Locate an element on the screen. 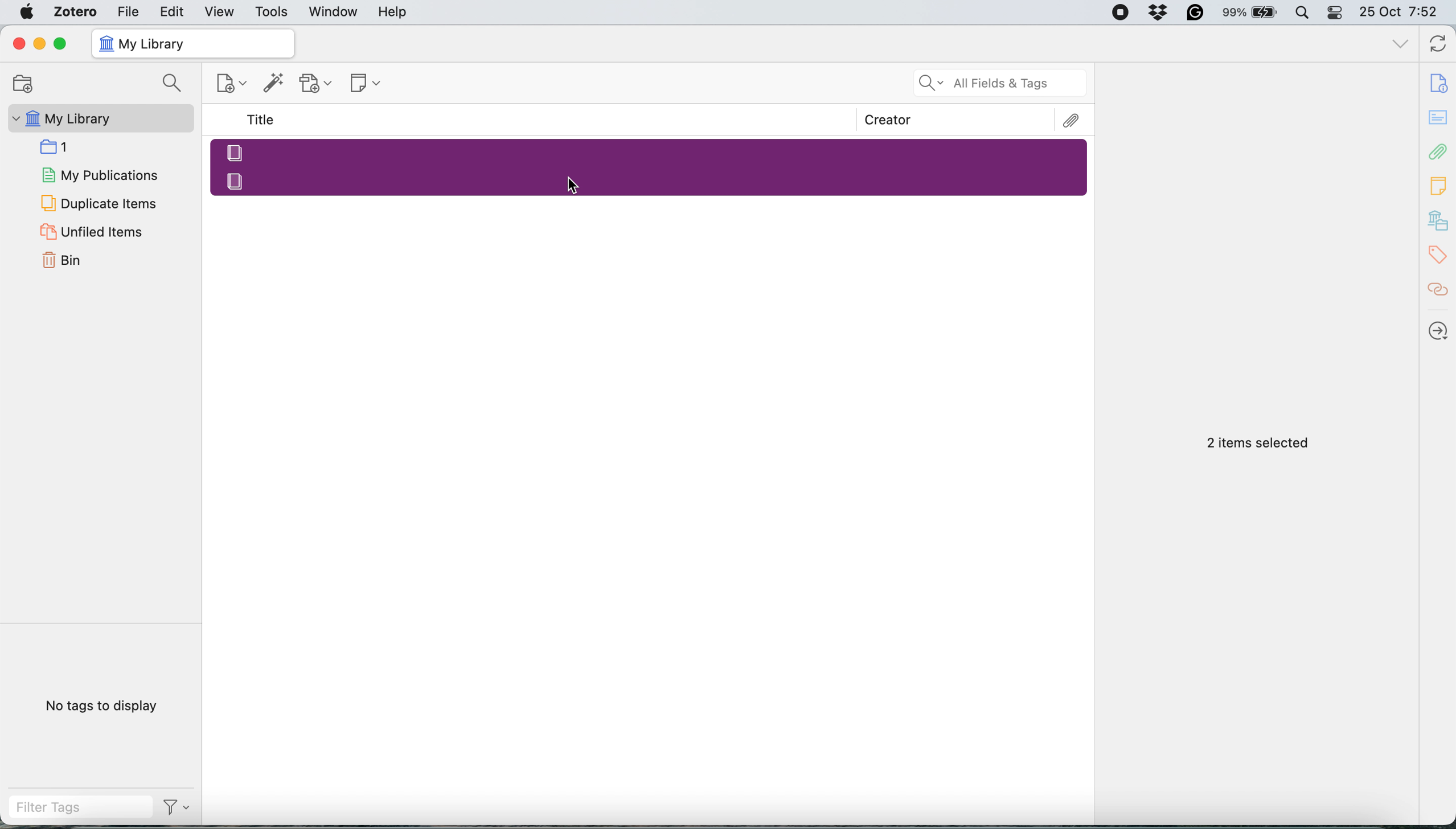 Image resolution: width=1456 pixels, height=829 pixels. Spotlight Search is located at coordinates (1301, 13).